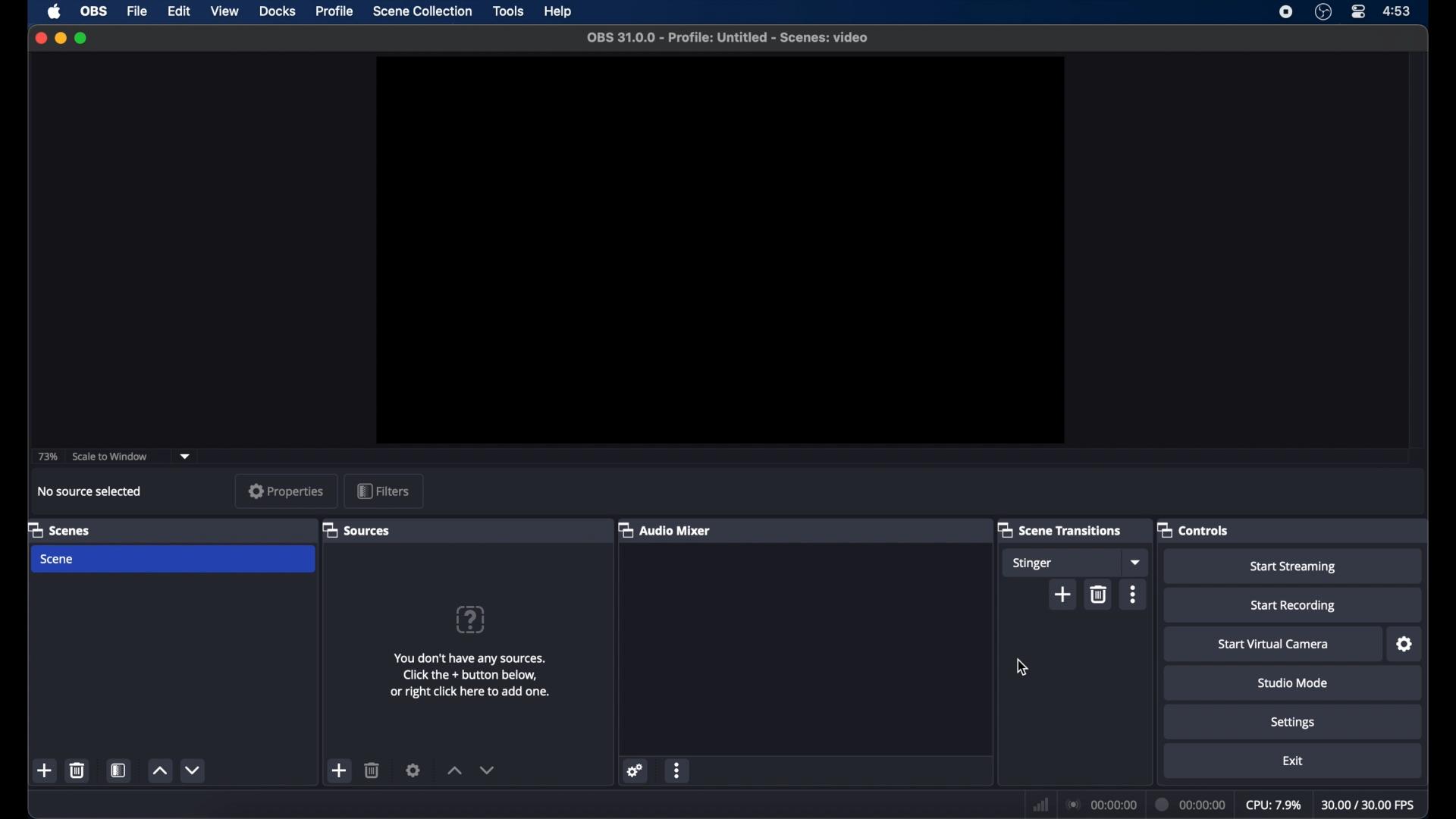  I want to click on scene transitions, so click(1060, 529).